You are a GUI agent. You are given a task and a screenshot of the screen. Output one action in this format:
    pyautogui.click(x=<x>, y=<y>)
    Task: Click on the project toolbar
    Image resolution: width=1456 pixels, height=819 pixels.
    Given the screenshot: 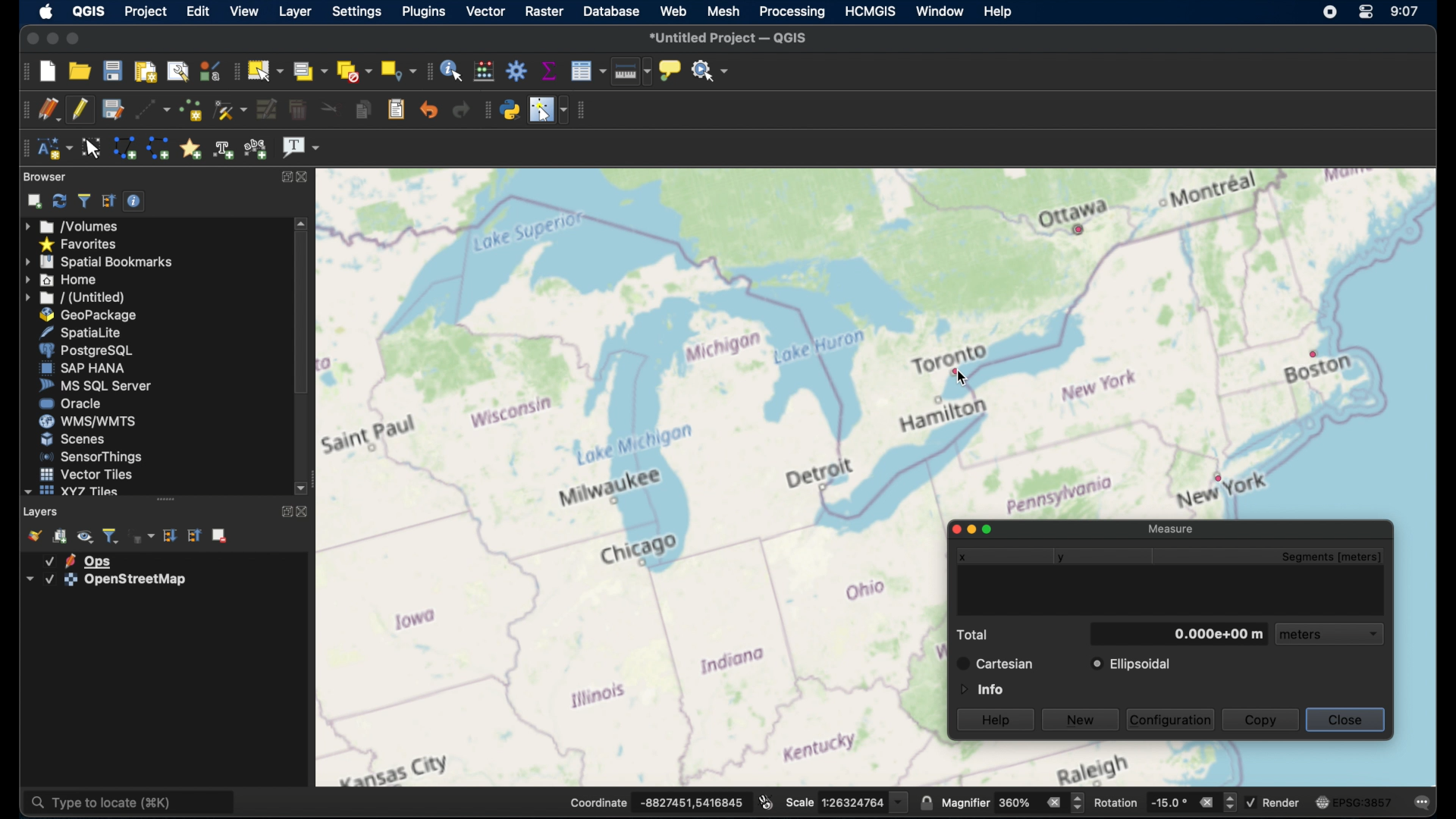 What is the action you would take?
    pyautogui.click(x=20, y=71)
    